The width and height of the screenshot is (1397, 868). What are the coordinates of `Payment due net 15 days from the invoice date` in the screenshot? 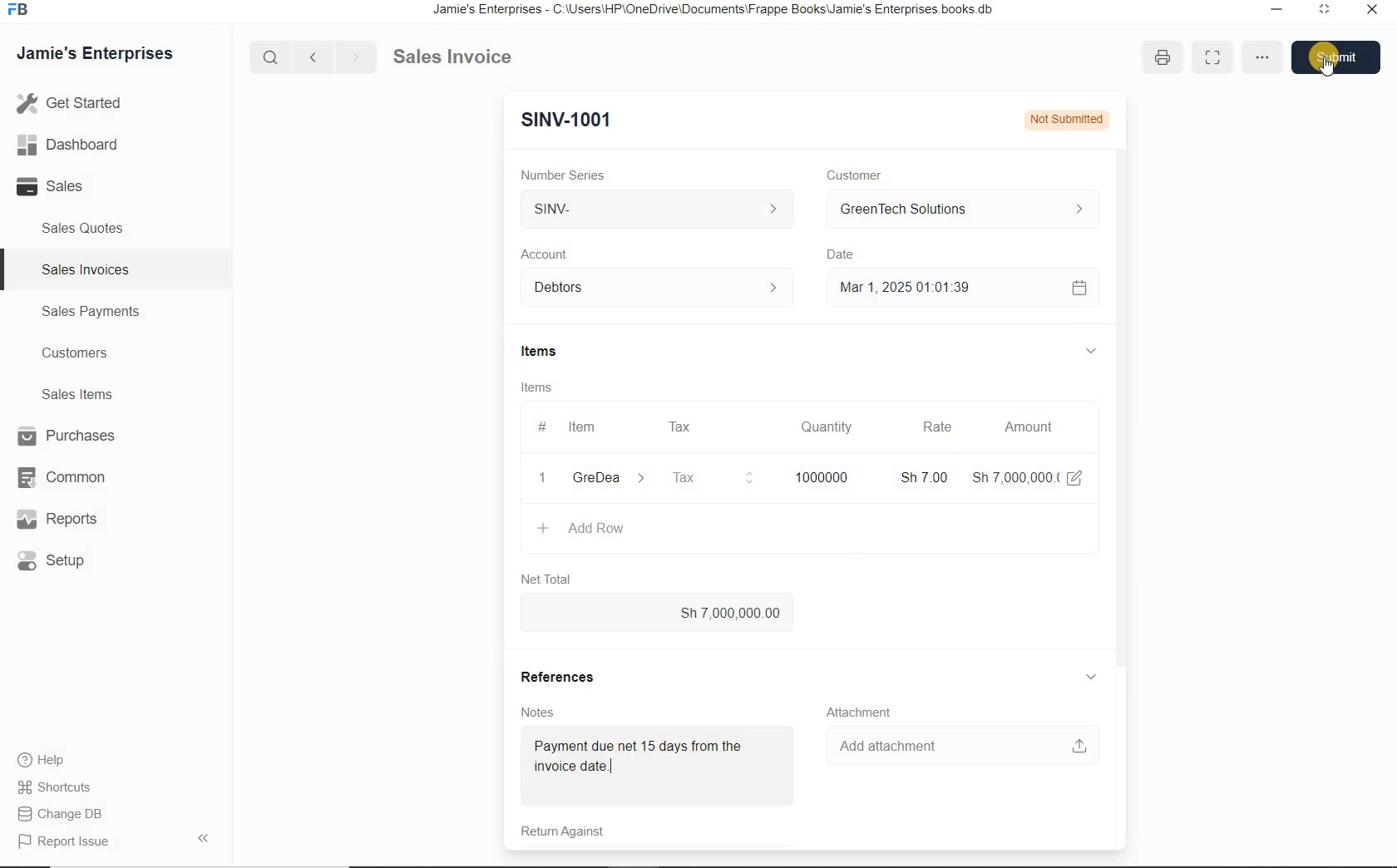 It's located at (653, 760).